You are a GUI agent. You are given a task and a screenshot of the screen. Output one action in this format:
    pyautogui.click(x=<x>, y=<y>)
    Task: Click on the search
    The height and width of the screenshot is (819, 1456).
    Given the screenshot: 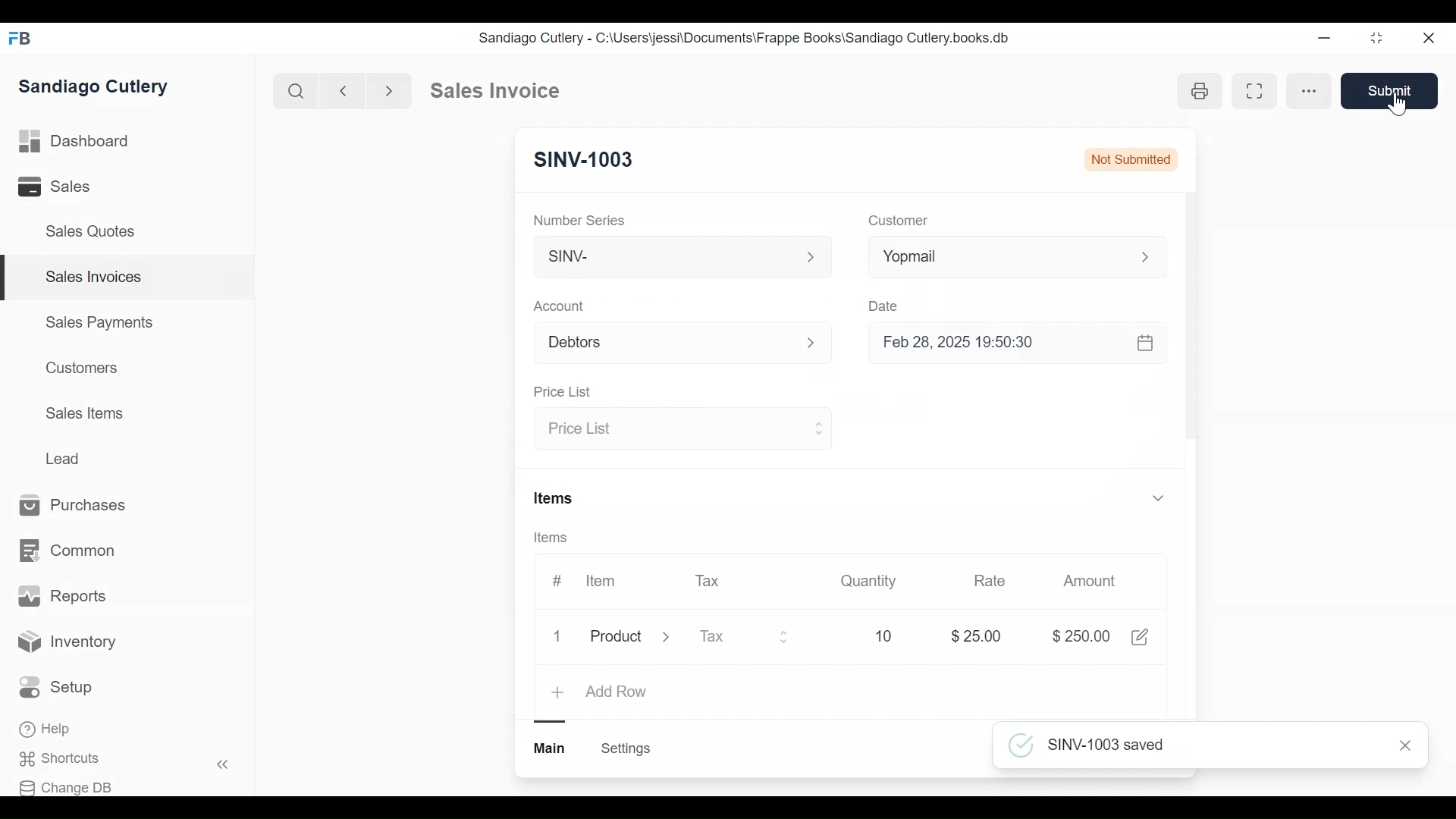 What is the action you would take?
    pyautogui.click(x=297, y=92)
    